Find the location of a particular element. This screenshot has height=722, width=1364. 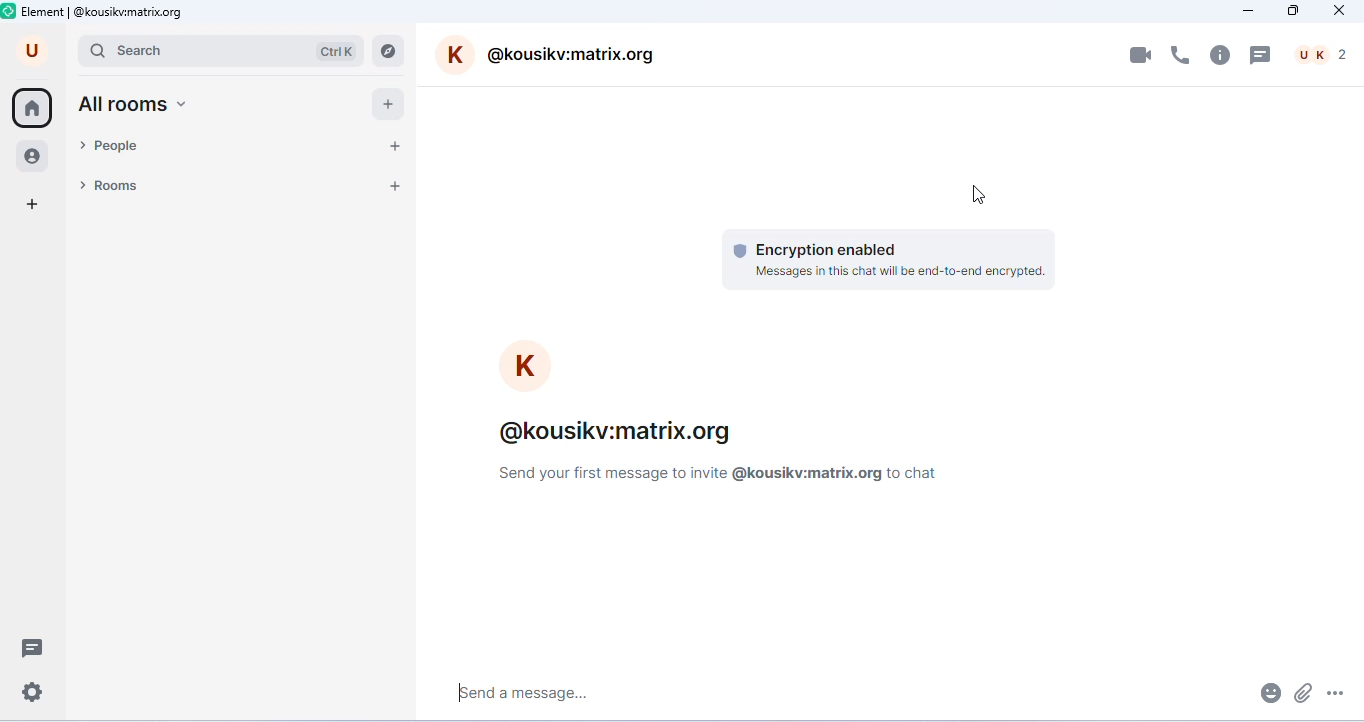

audio call is located at coordinates (1182, 53).